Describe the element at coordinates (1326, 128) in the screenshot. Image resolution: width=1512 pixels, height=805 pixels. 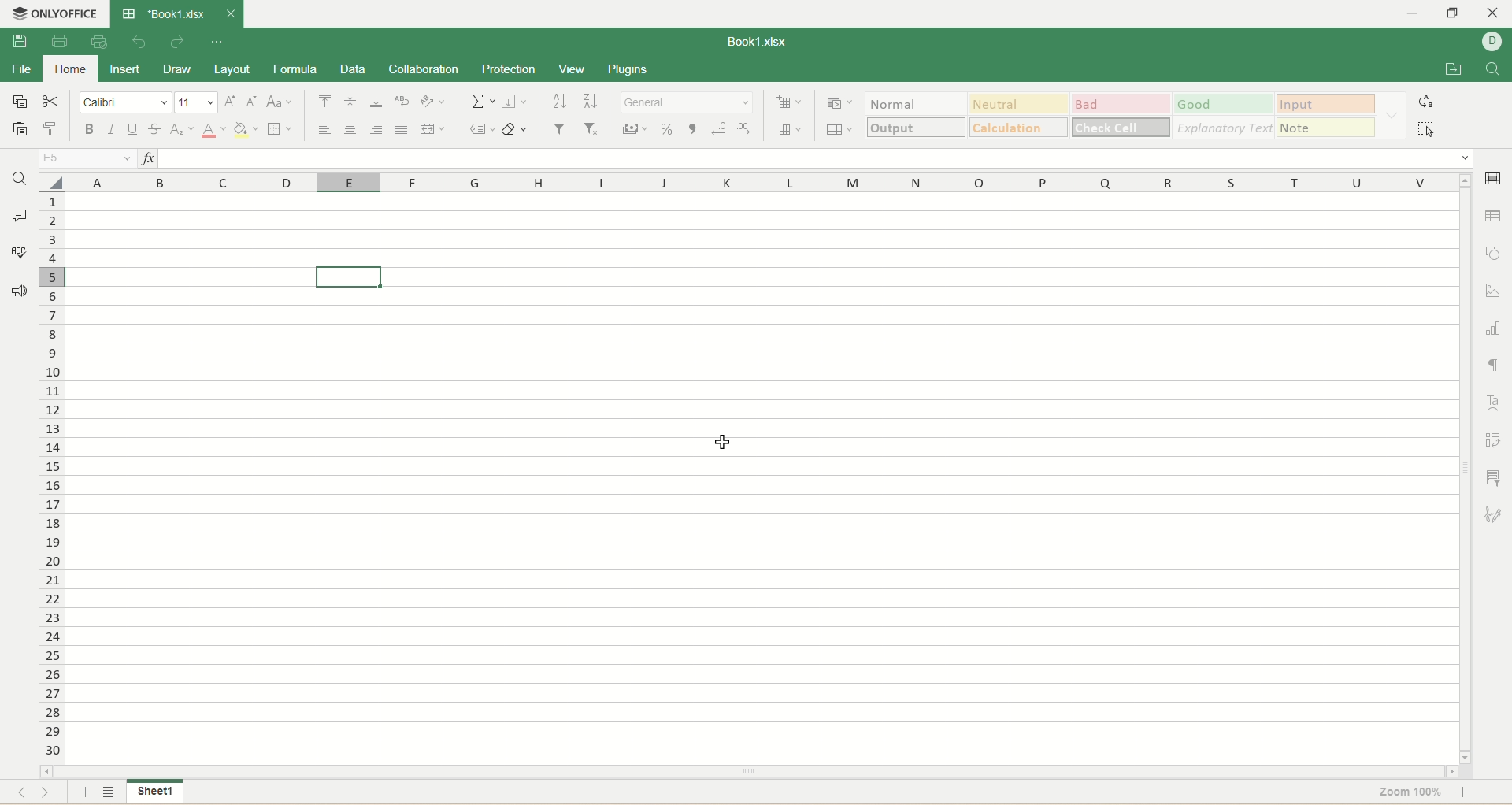
I see `note` at that location.